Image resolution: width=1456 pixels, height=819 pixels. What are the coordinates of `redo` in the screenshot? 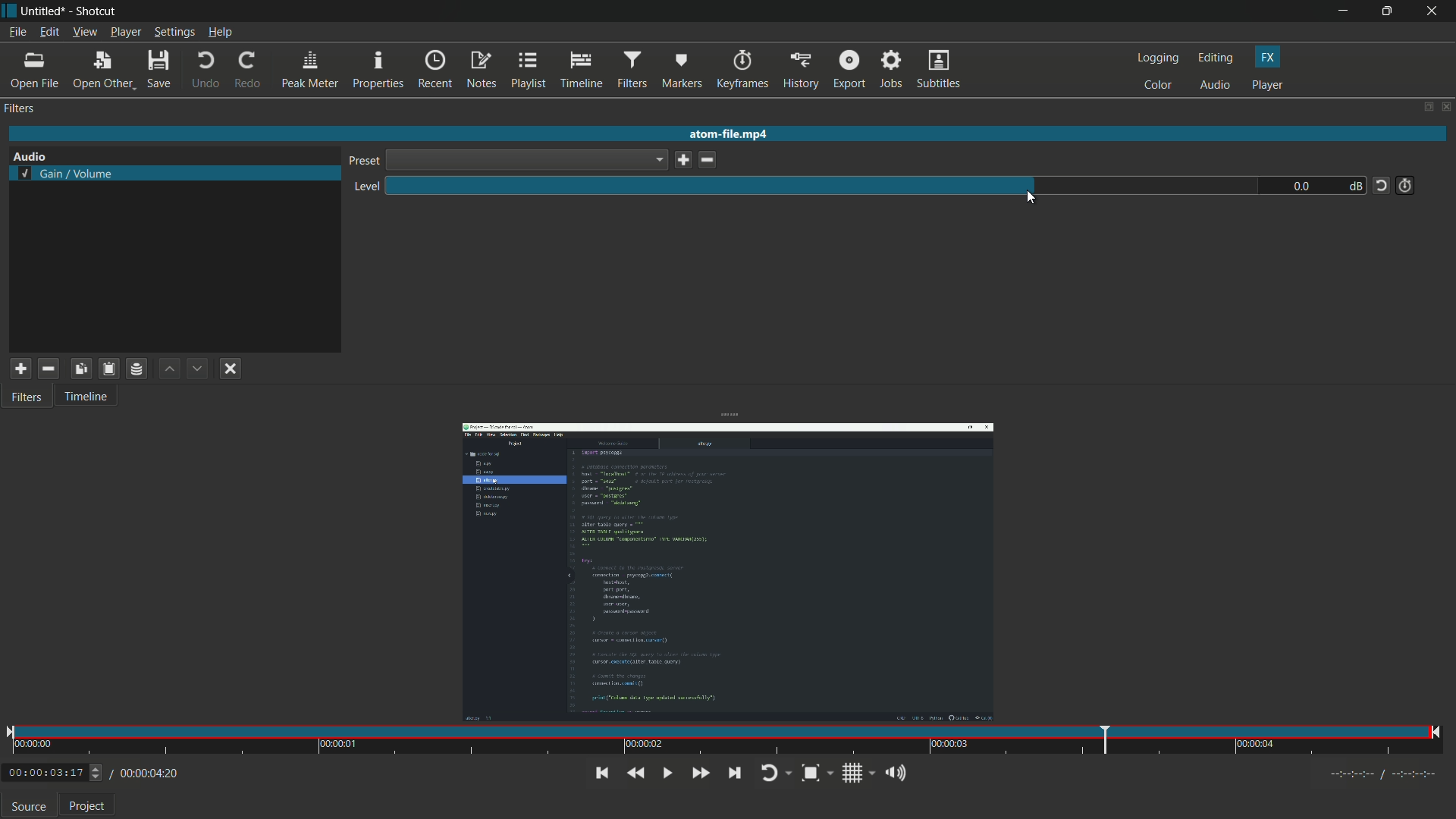 It's located at (249, 71).